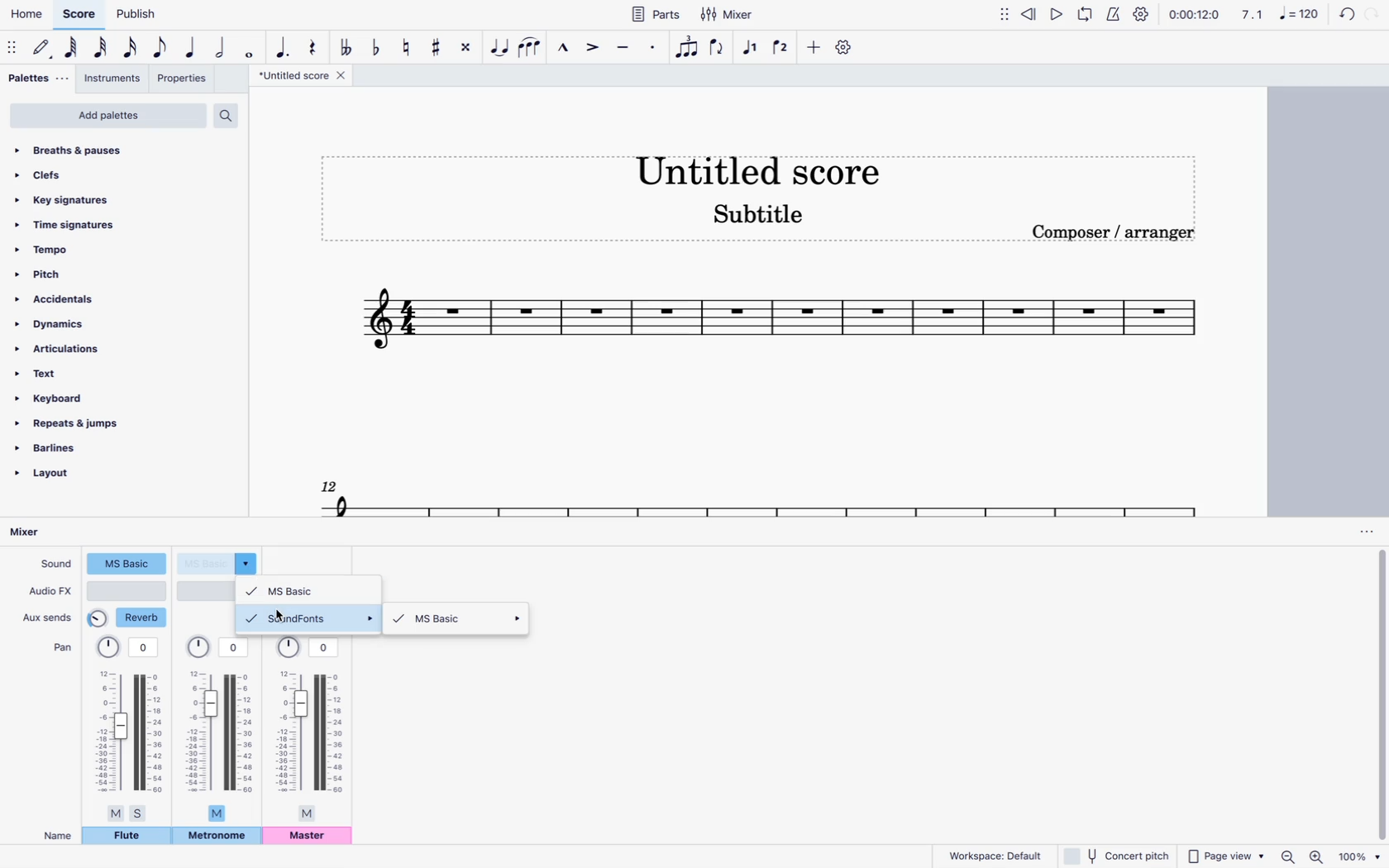 Image resolution: width=1389 pixels, height=868 pixels. Describe the element at coordinates (312, 729) in the screenshot. I see `pan` at that location.